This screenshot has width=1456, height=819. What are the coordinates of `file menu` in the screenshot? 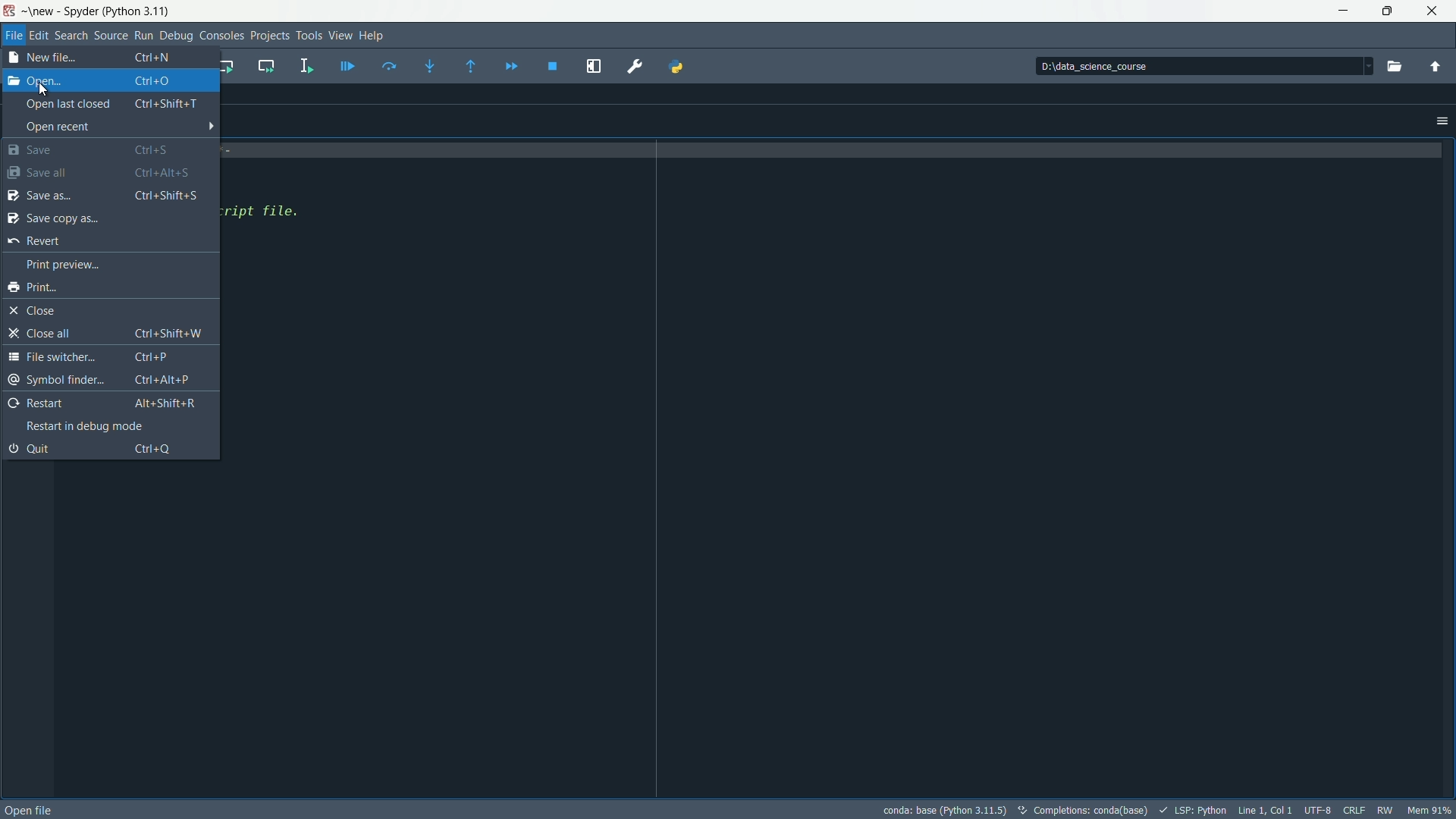 It's located at (14, 35).